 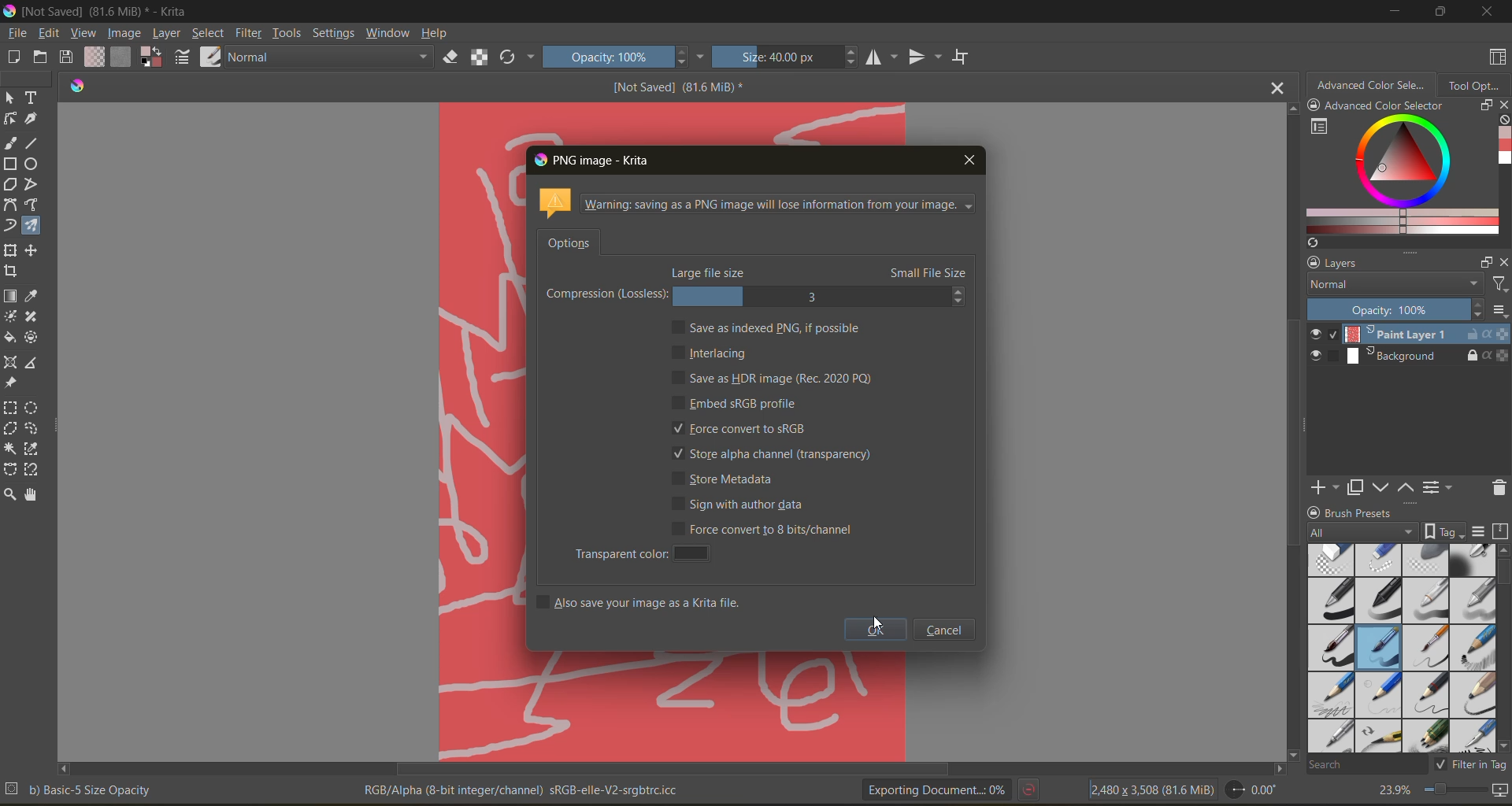 I want to click on tool, so click(x=31, y=165).